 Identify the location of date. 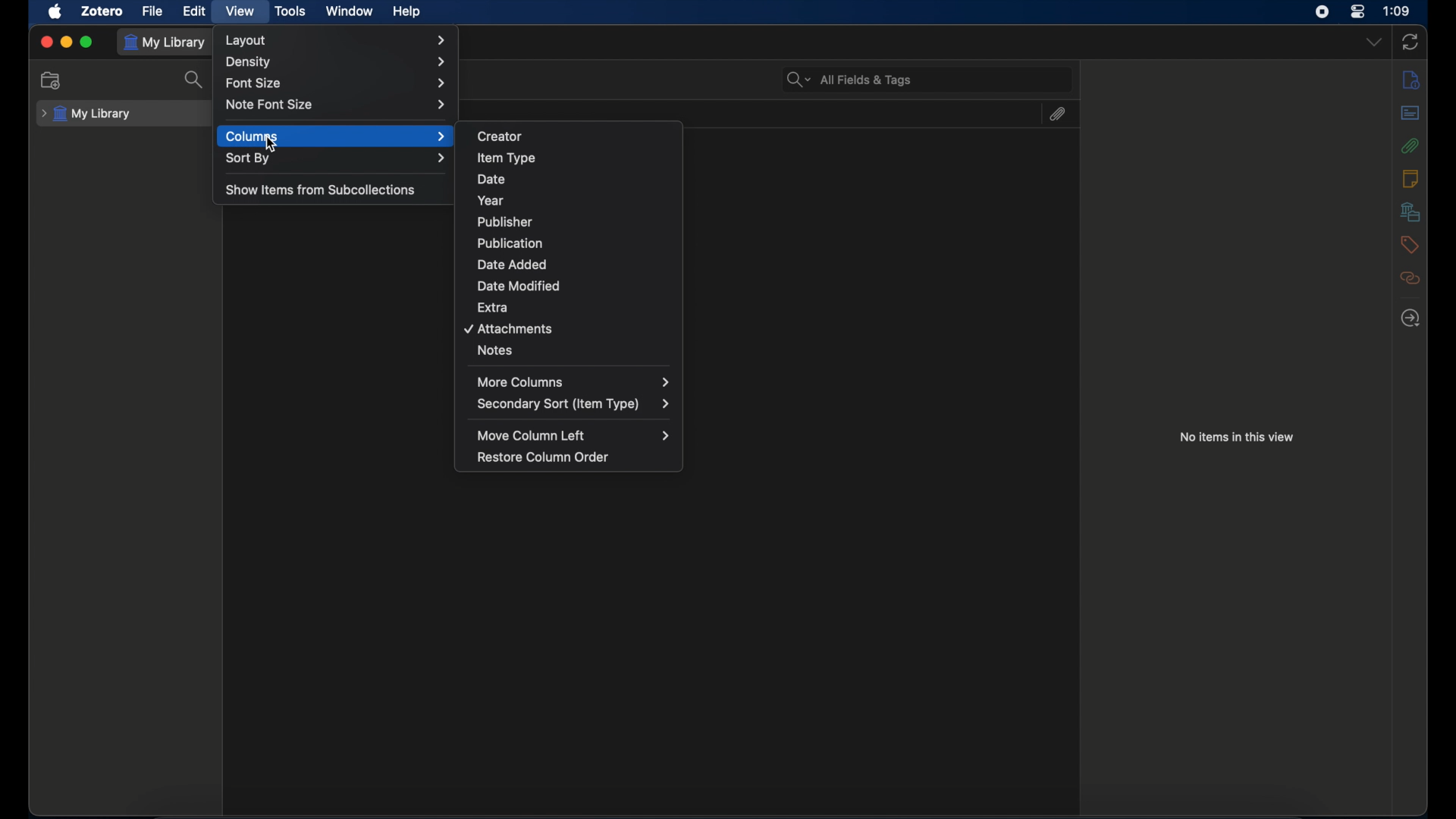
(492, 180).